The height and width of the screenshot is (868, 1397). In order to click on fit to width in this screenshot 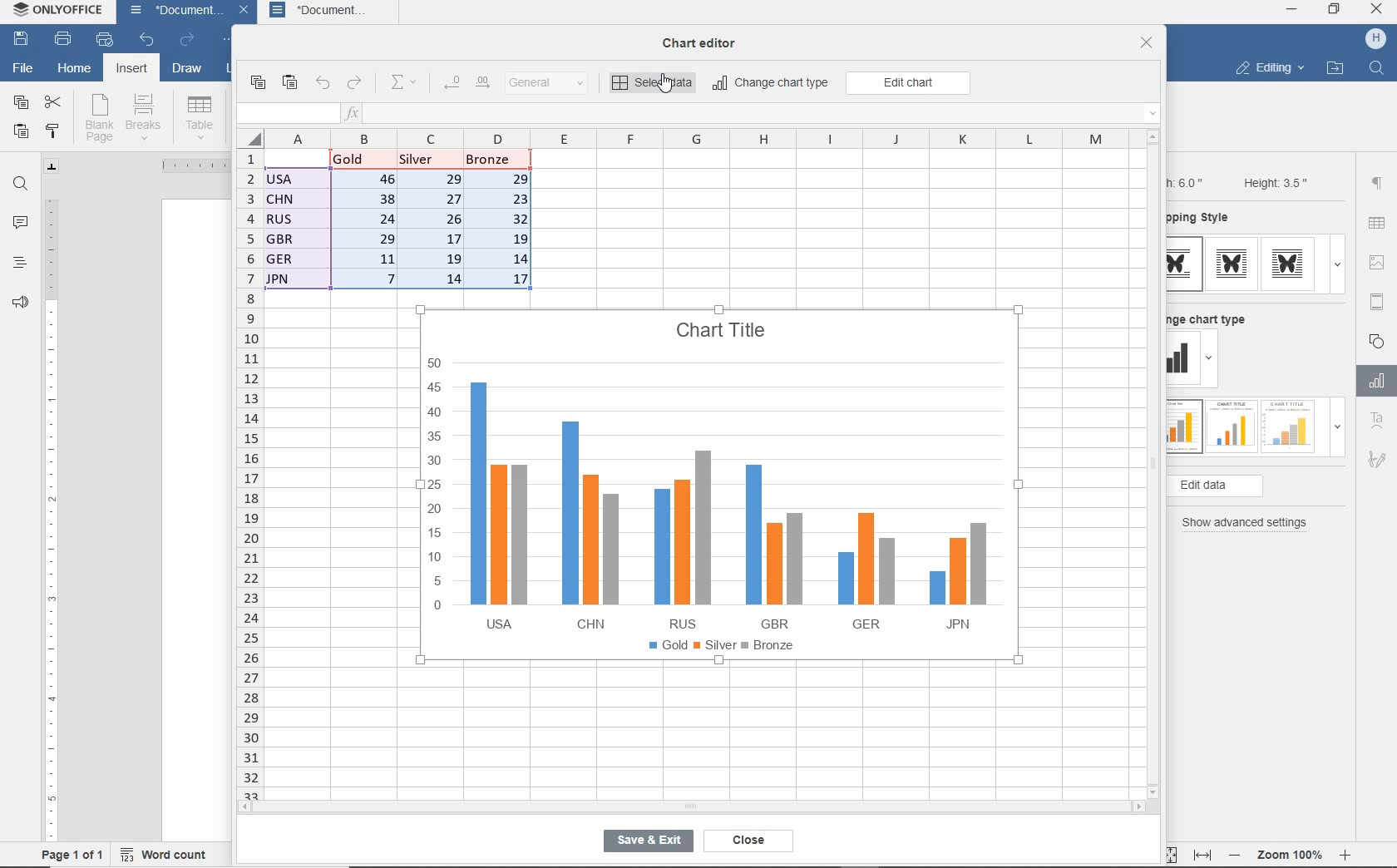, I will do `click(1202, 855)`.